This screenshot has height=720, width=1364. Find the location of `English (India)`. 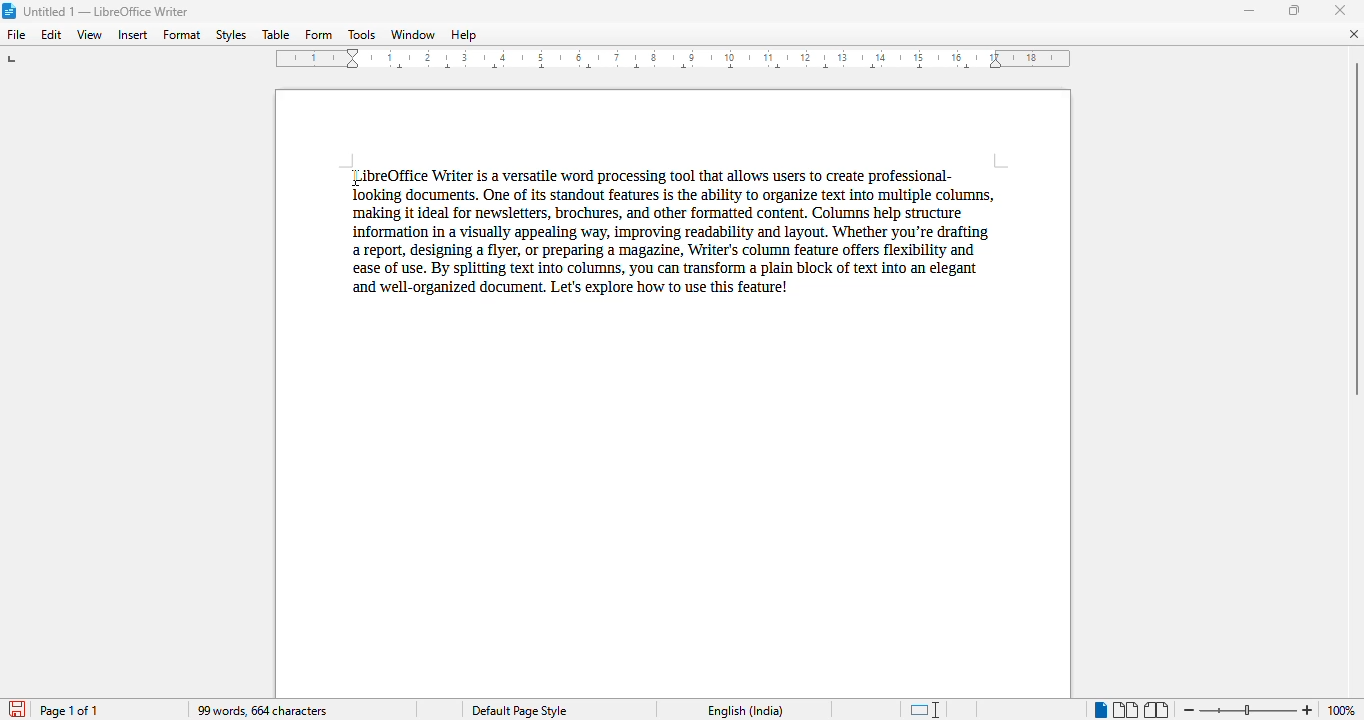

English (India) is located at coordinates (745, 711).